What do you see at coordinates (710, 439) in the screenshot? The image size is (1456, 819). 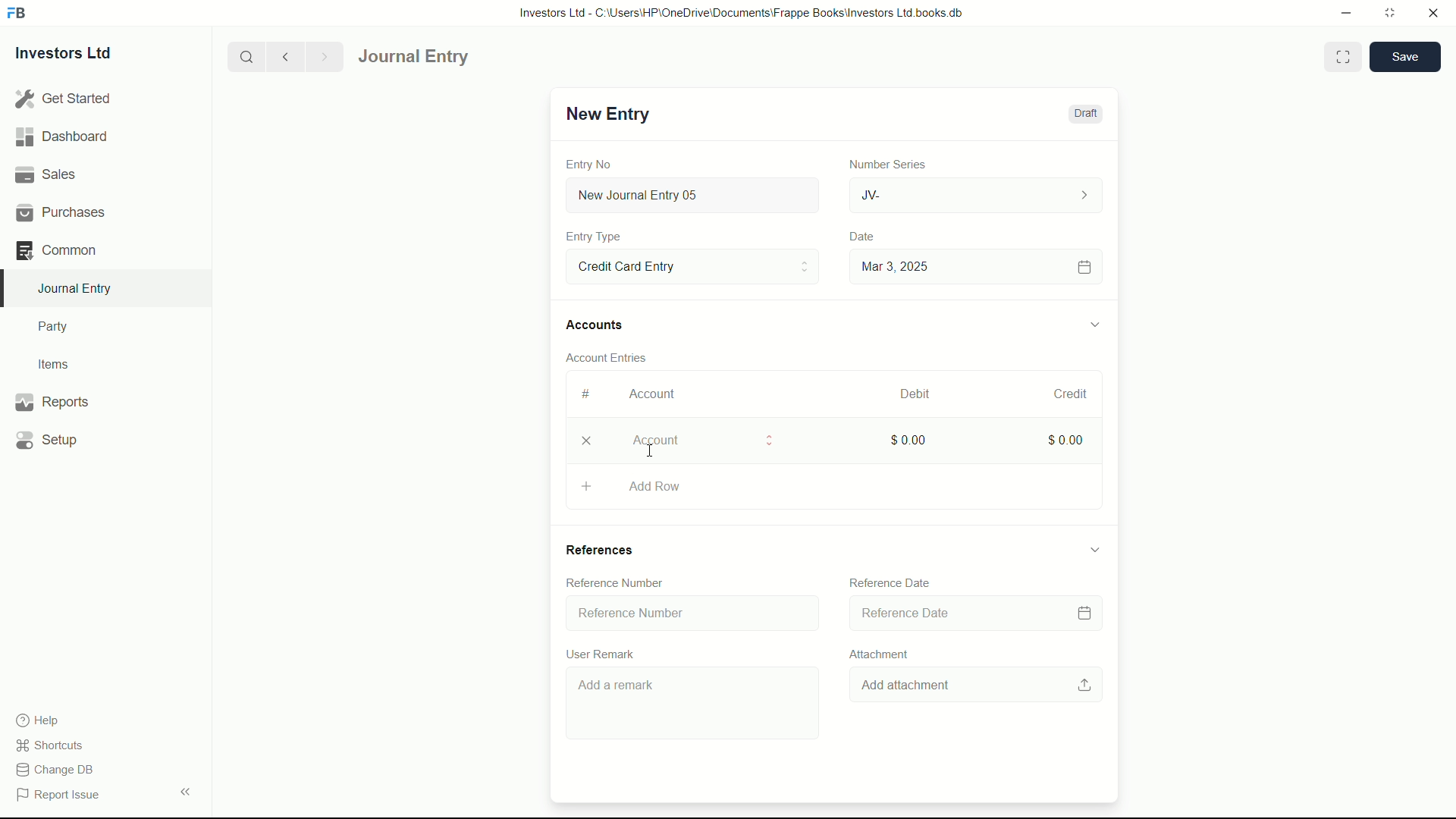 I see `Account` at bounding box center [710, 439].